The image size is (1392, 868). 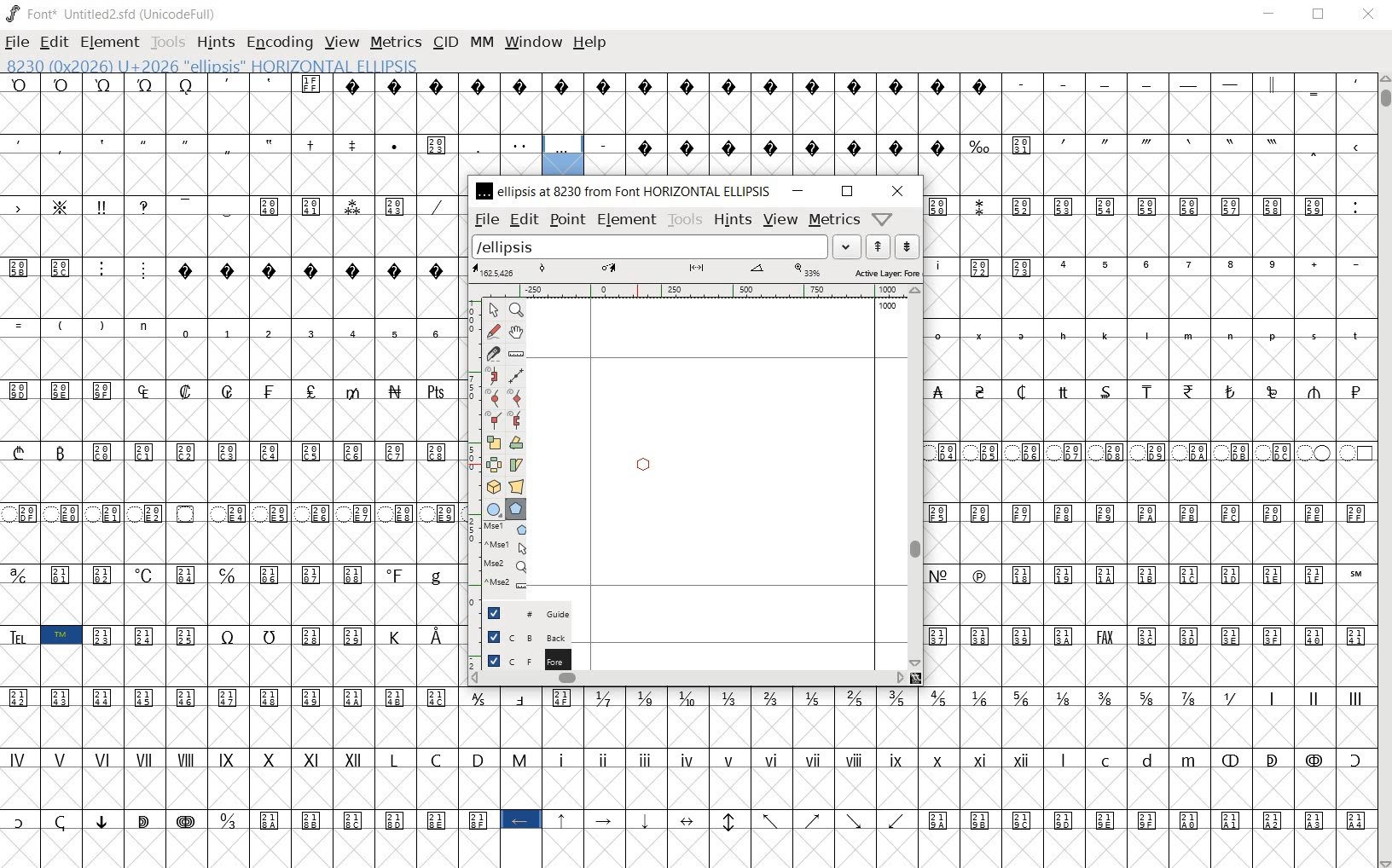 What do you see at coordinates (214, 44) in the screenshot?
I see `HINTS` at bounding box center [214, 44].